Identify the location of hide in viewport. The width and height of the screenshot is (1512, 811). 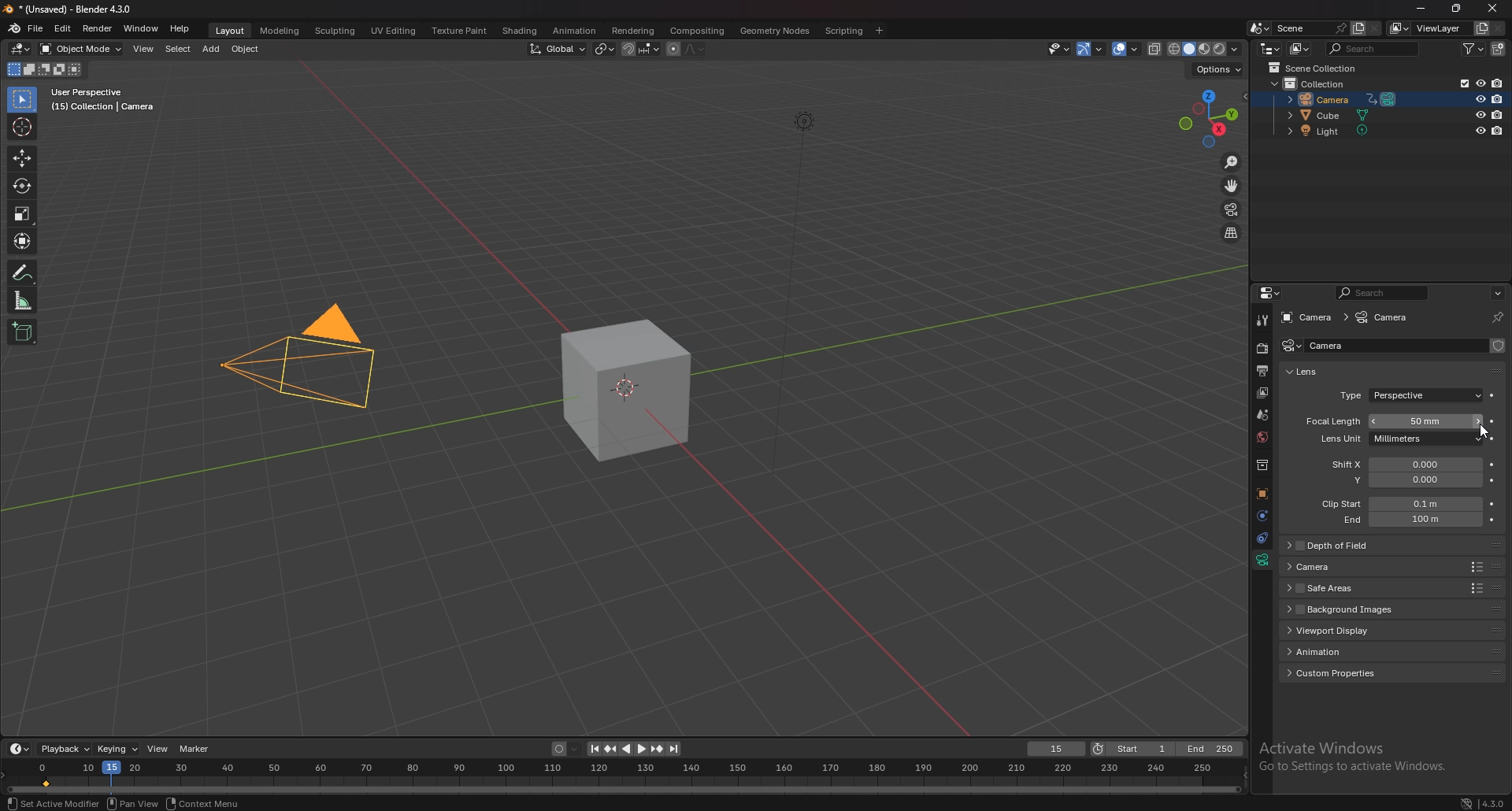
(1478, 100).